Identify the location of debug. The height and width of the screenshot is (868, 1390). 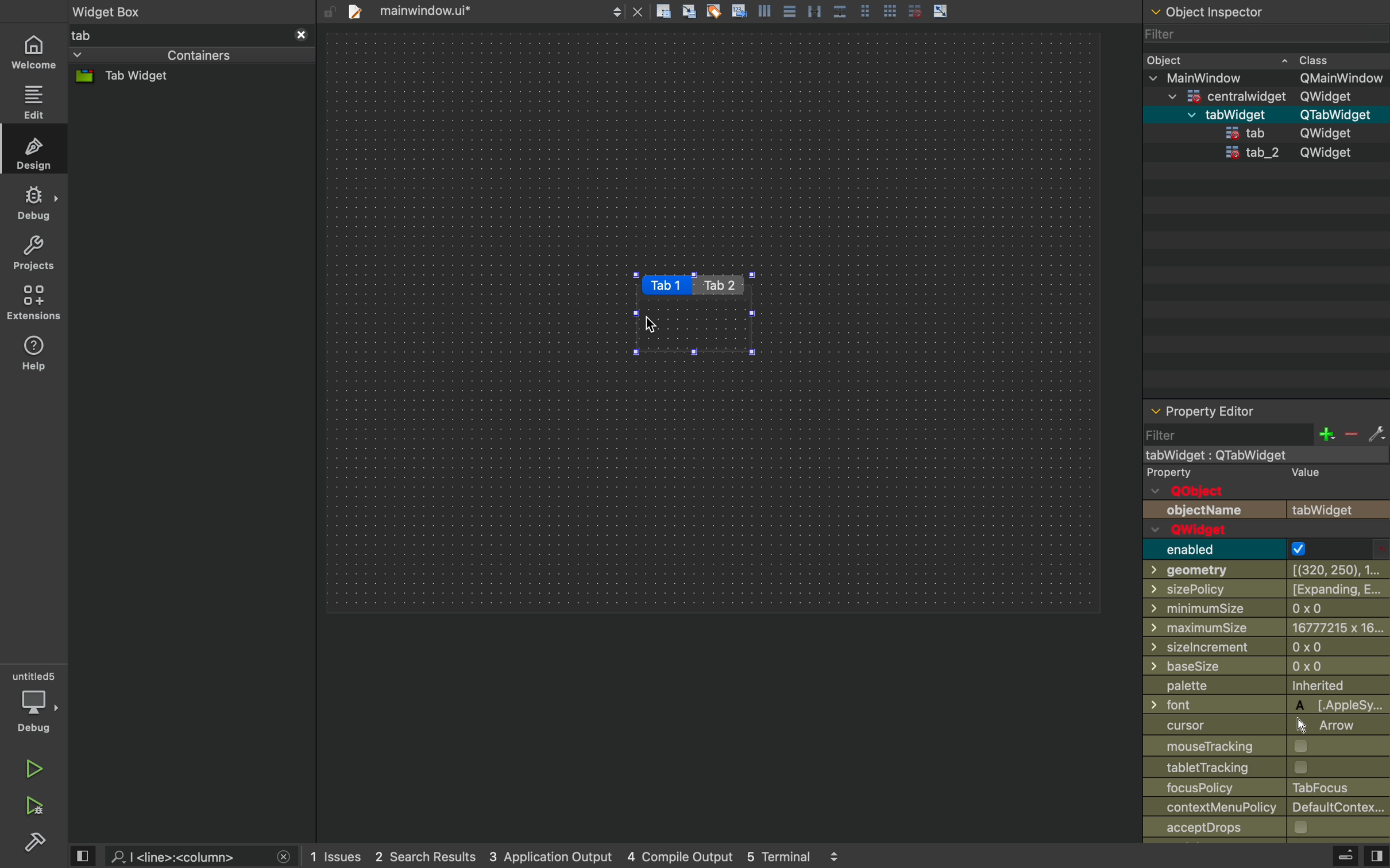
(33, 204).